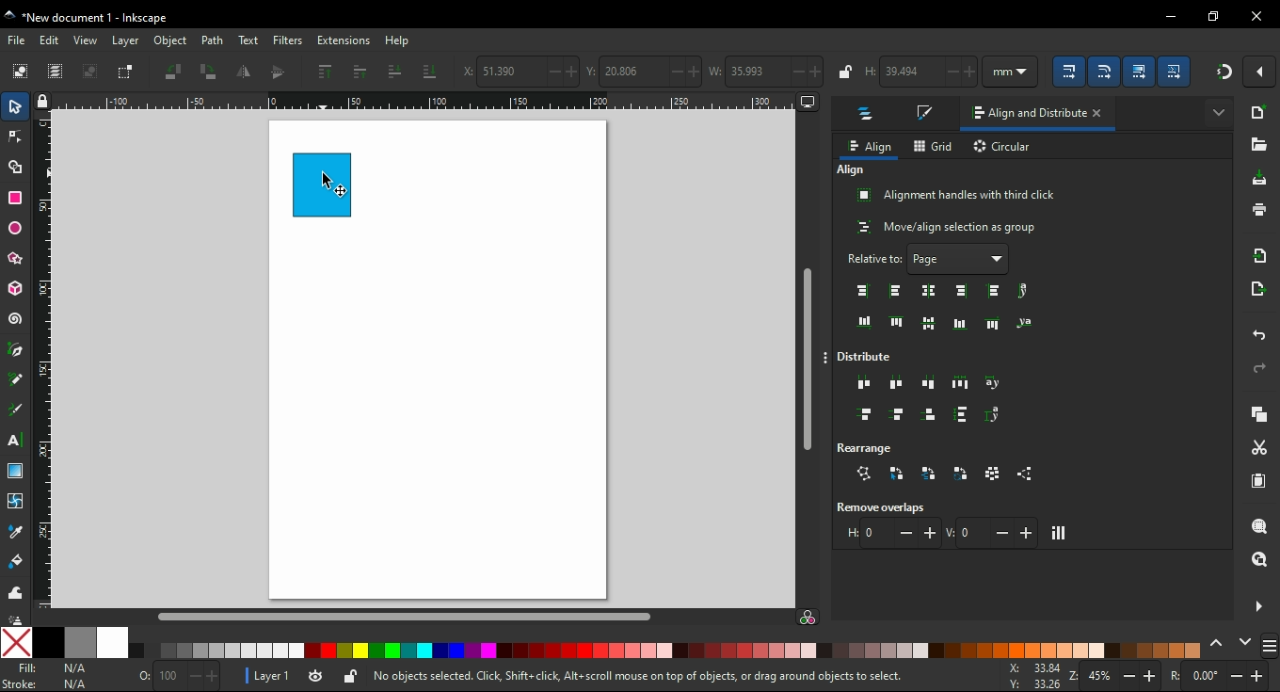 The image size is (1280, 692). I want to click on rotate object 90, so click(210, 71).